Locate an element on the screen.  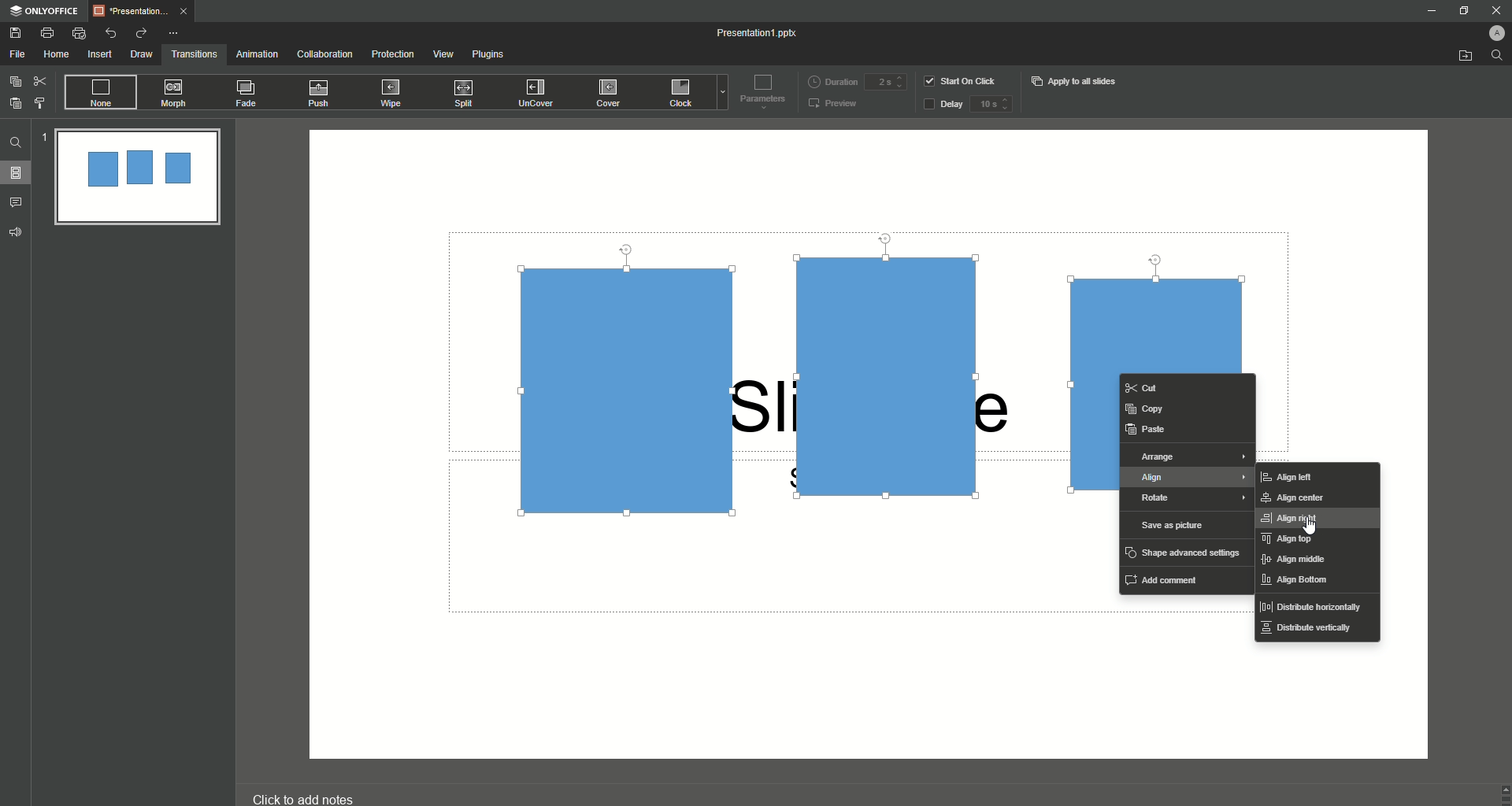
Undo is located at coordinates (112, 32).